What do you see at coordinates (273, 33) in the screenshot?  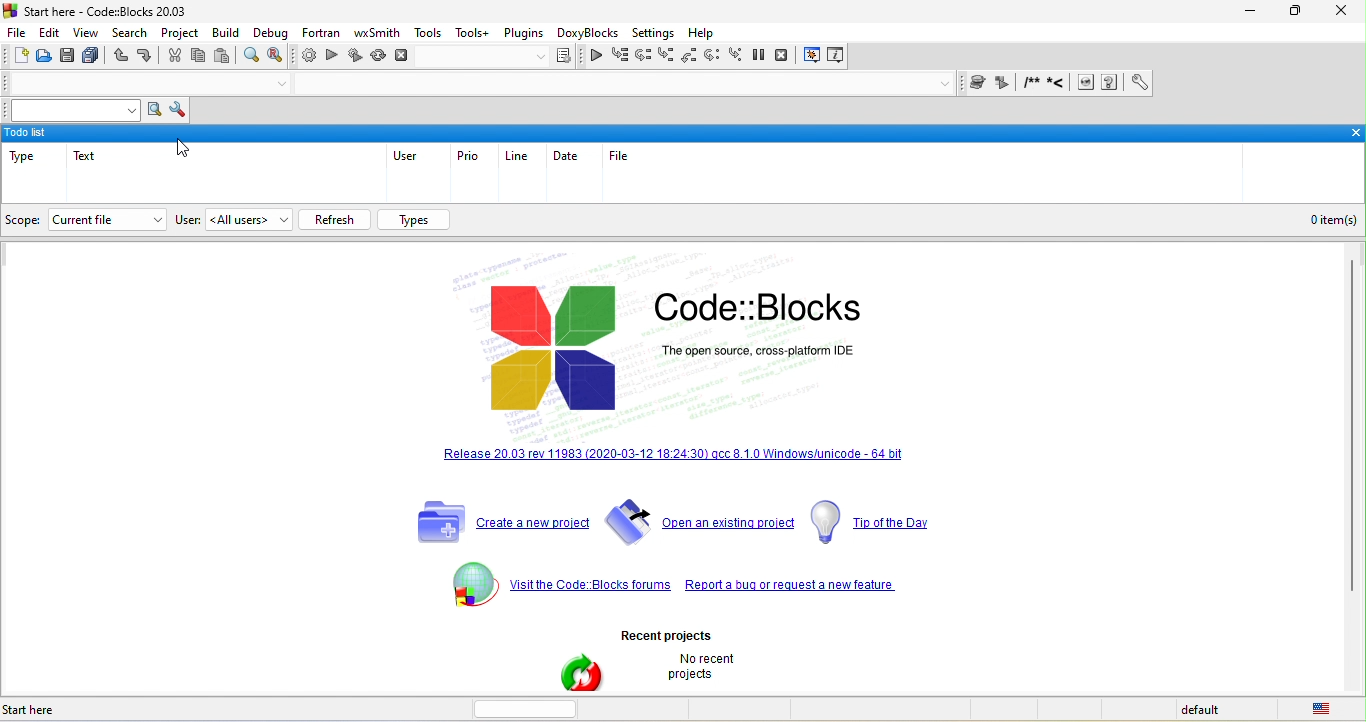 I see `debug` at bounding box center [273, 33].